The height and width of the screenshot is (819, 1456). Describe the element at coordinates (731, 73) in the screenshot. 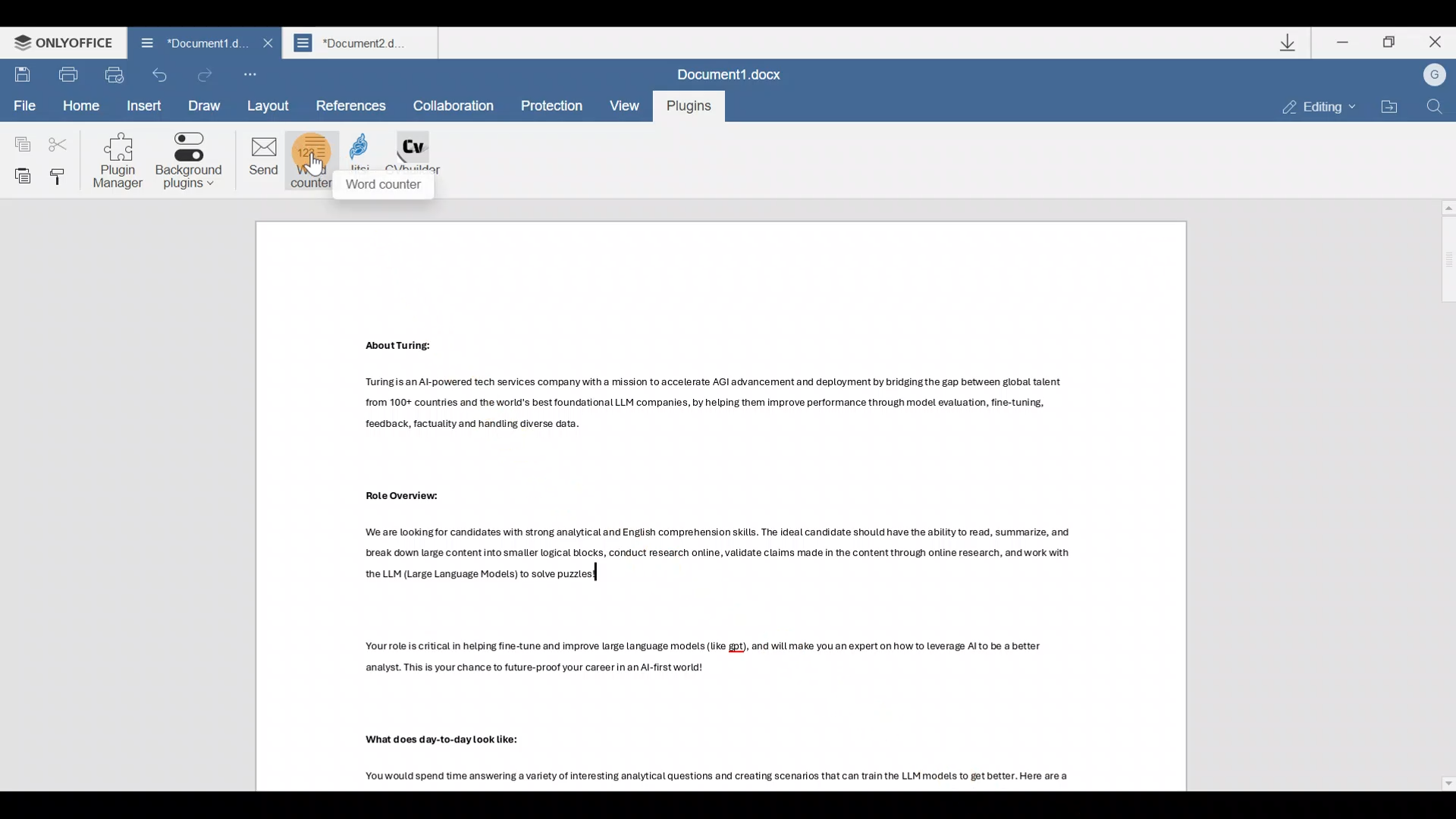

I see `Document.docx` at that location.